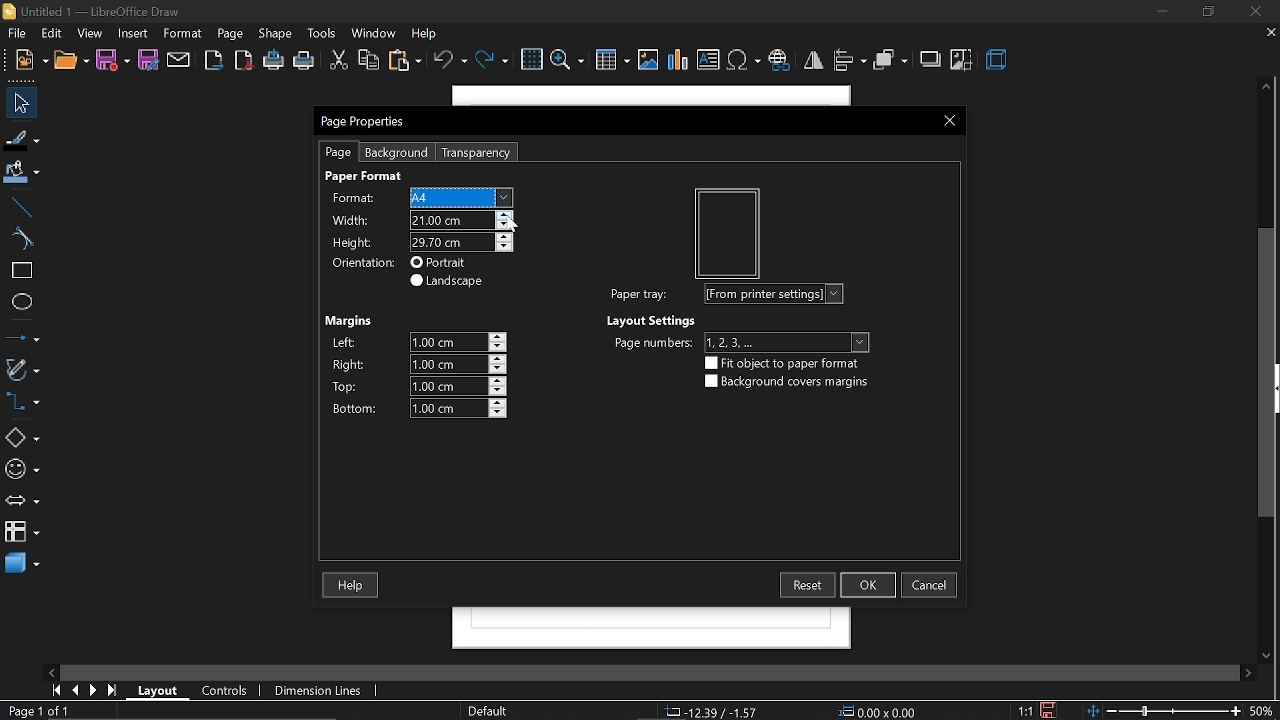 The height and width of the screenshot is (720, 1280). Describe the element at coordinates (611, 61) in the screenshot. I see `insert table` at that location.